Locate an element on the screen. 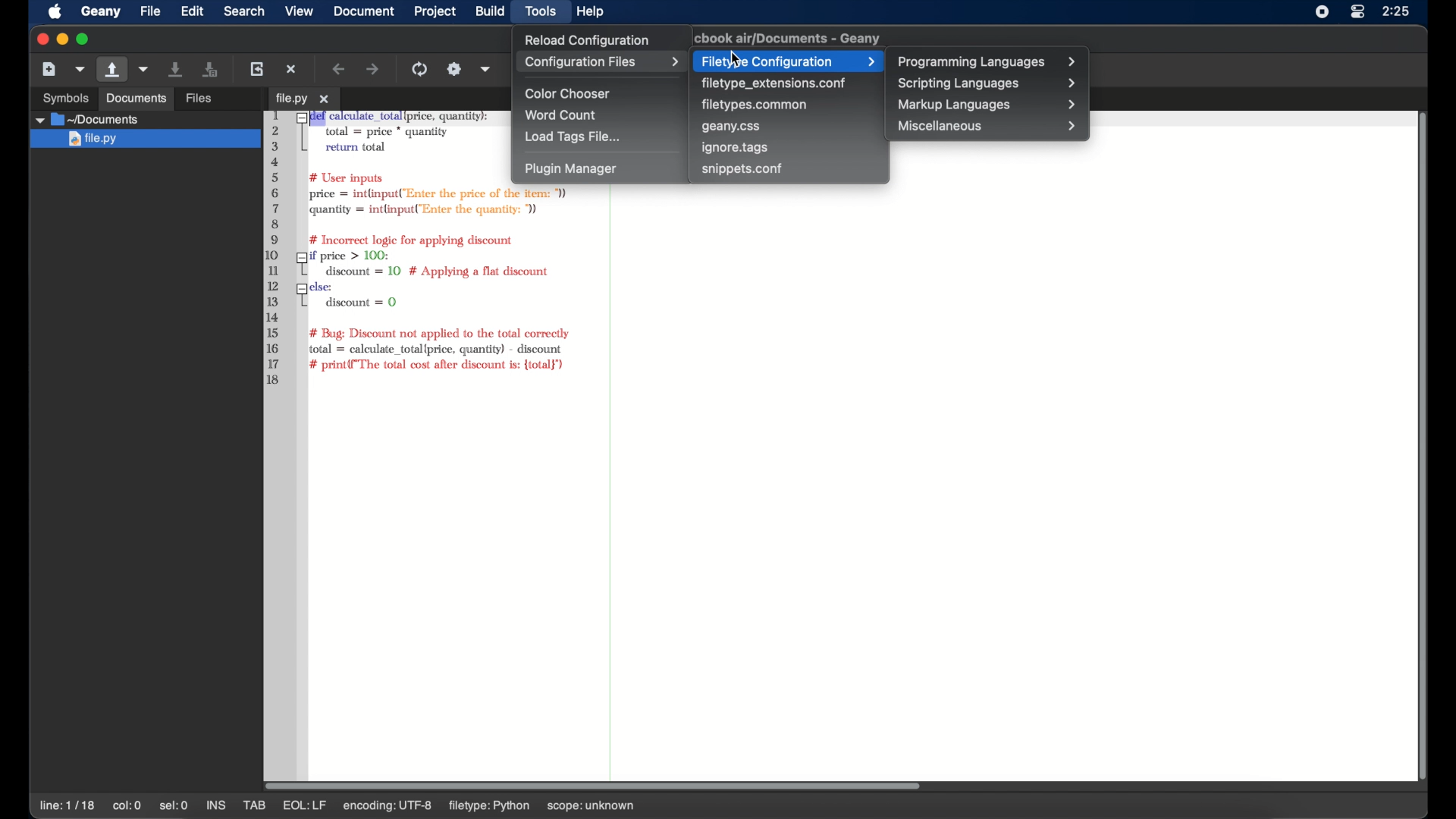 This screenshot has width=1456, height=819. miscellaneous is located at coordinates (988, 126).